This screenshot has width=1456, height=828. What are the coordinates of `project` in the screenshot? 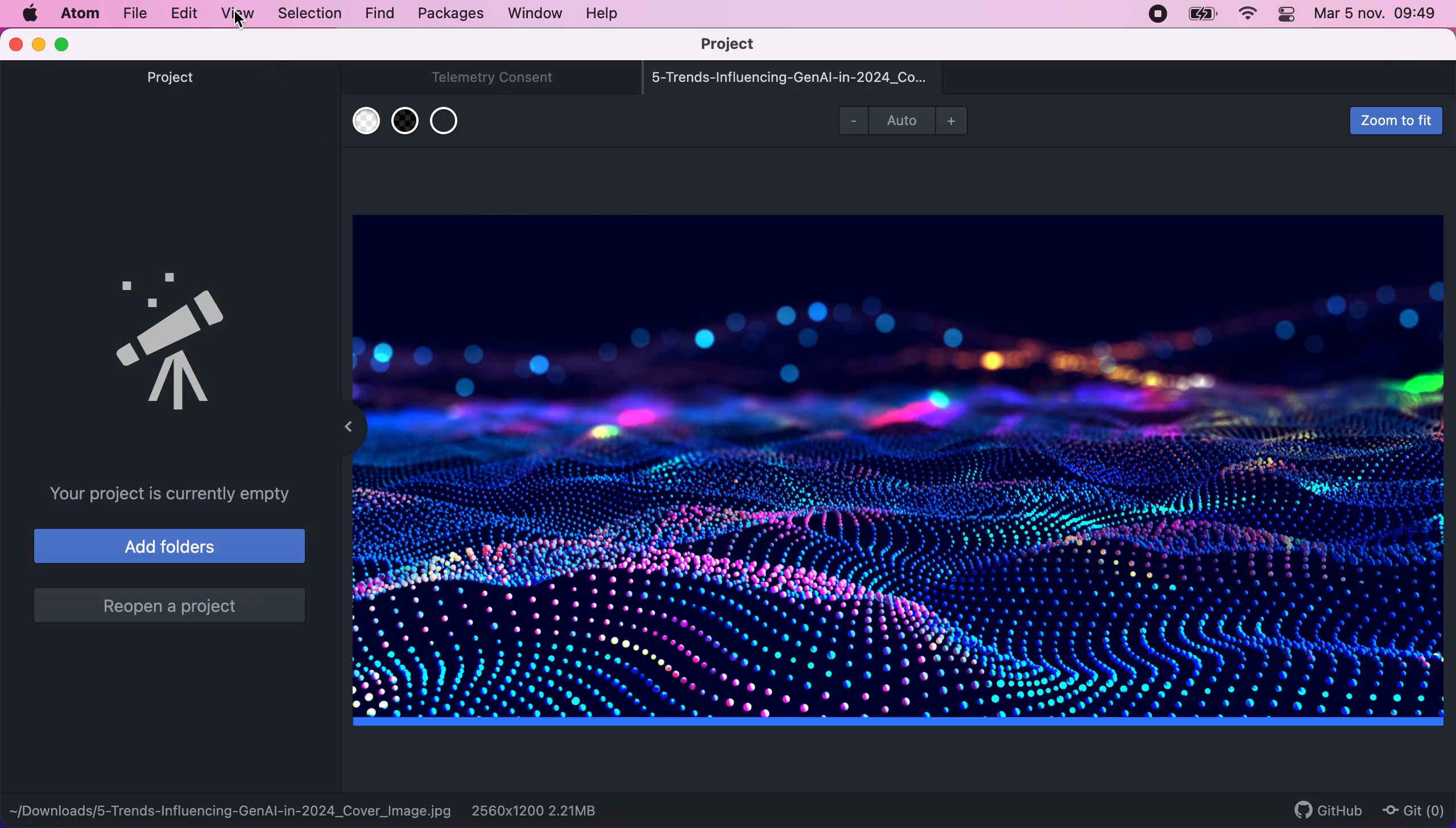 It's located at (733, 46).